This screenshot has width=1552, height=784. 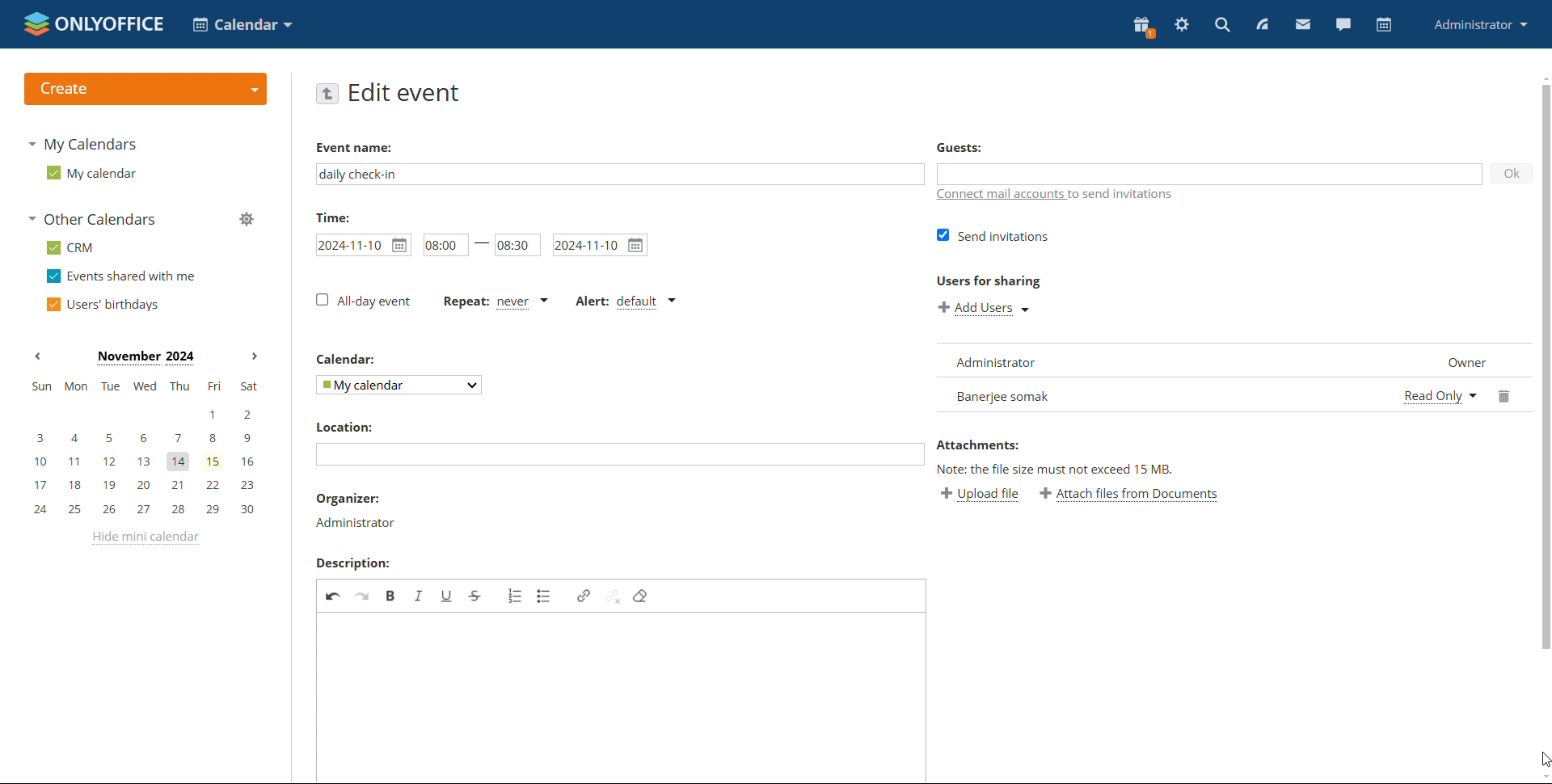 I want to click on location:, so click(x=344, y=428).